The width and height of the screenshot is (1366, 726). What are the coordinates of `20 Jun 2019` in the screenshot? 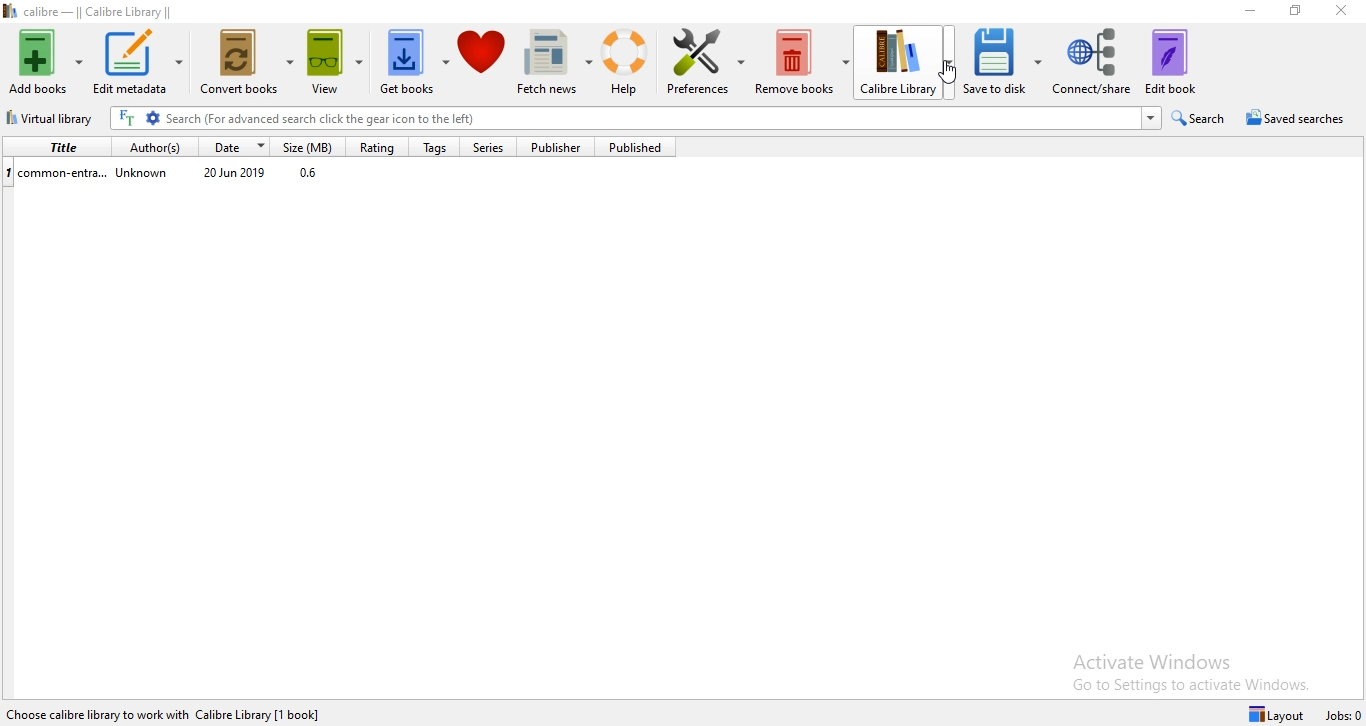 It's located at (236, 174).